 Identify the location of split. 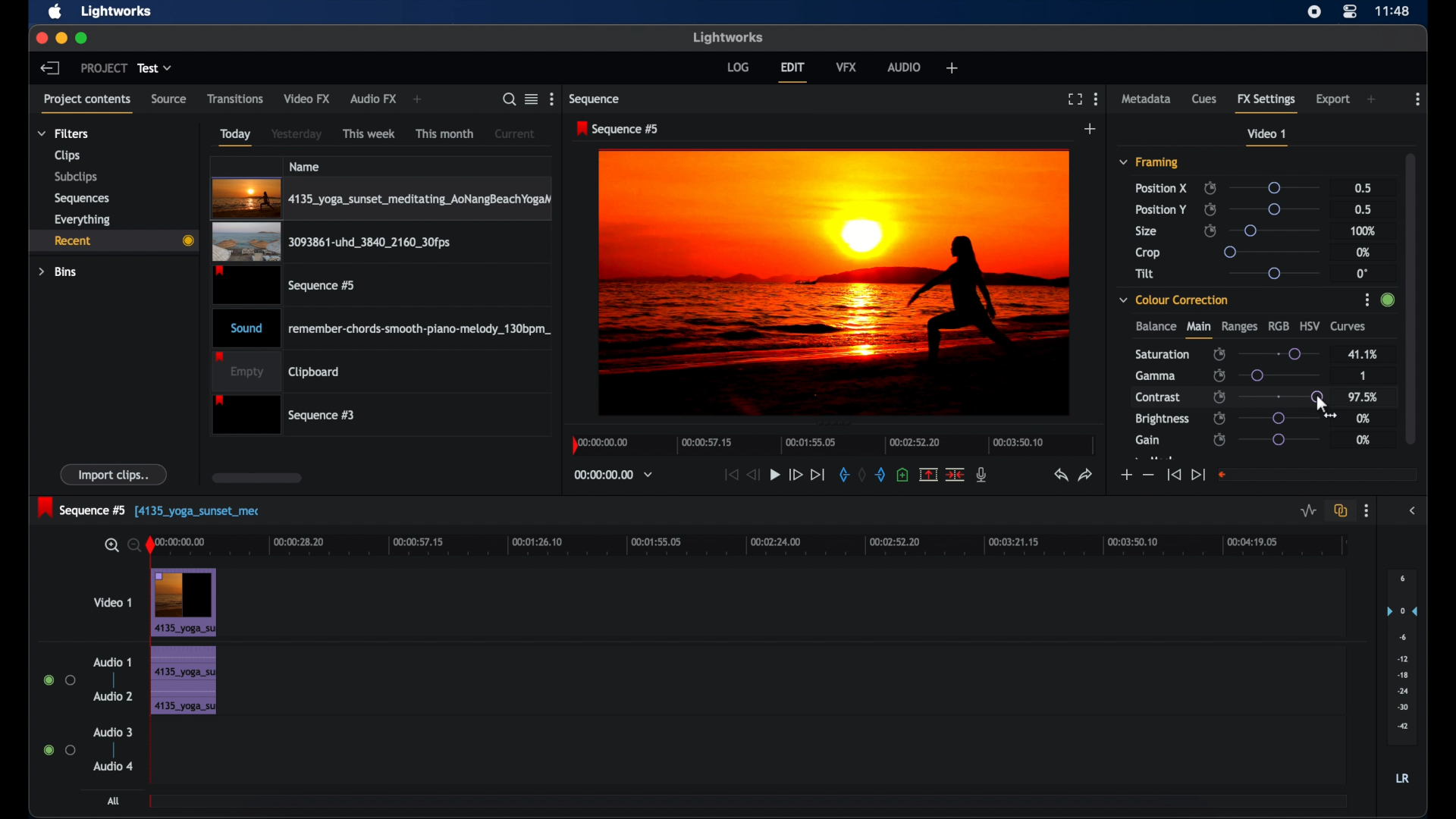
(928, 474).